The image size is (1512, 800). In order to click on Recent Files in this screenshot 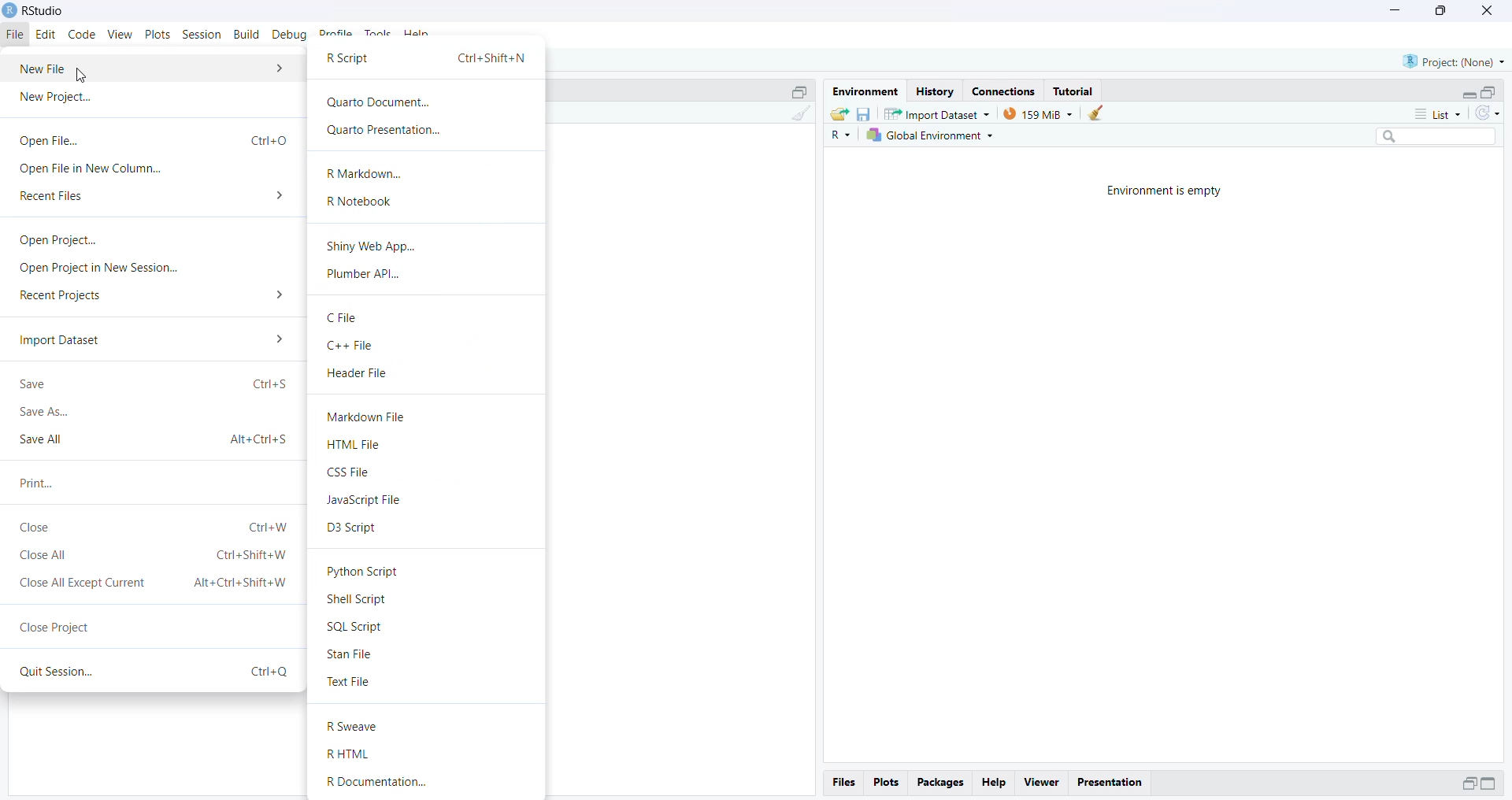, I will do `click(152, 197)`.